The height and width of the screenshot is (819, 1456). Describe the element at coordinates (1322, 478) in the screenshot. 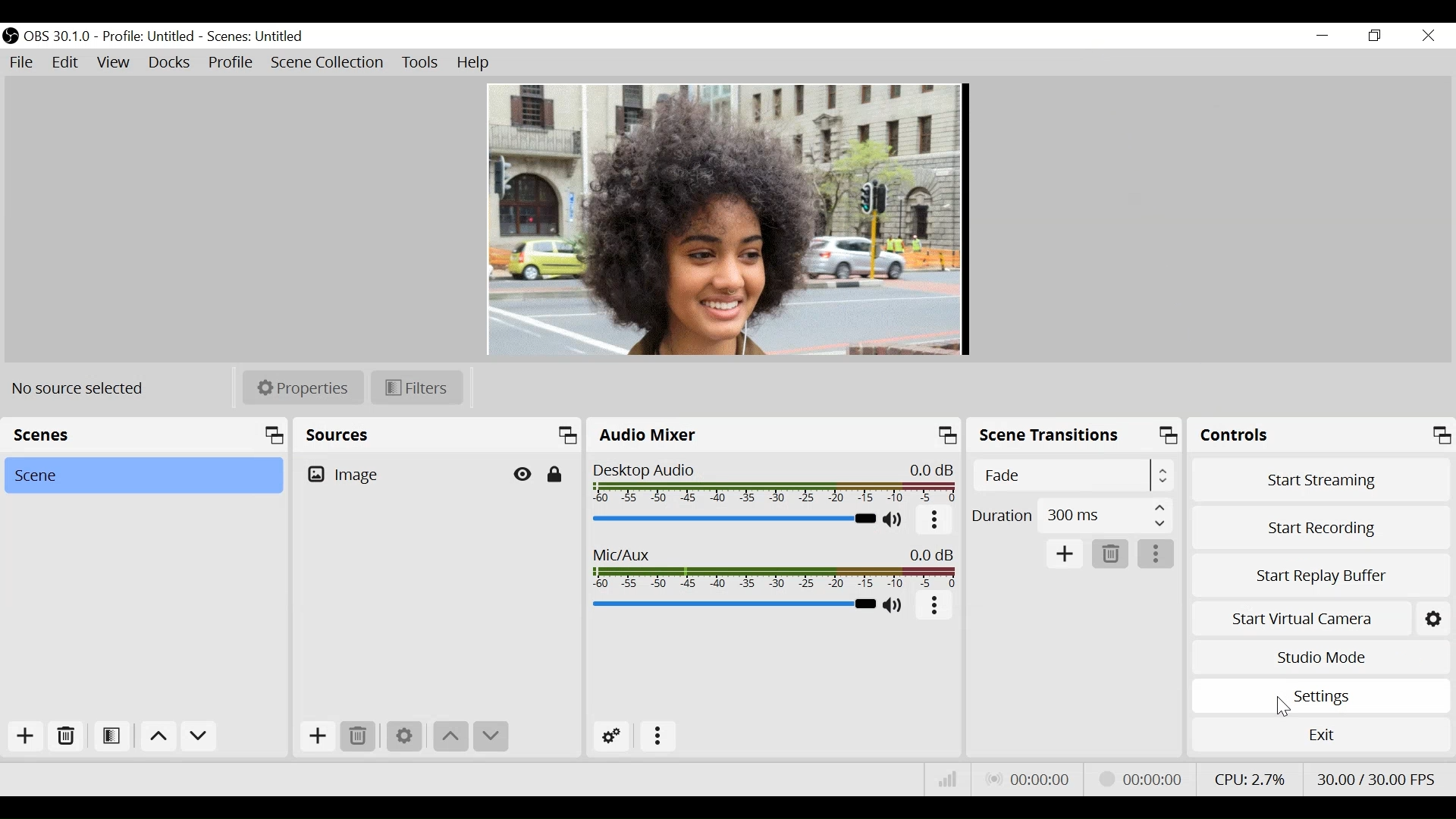

I see `Start Streaming` at that location.